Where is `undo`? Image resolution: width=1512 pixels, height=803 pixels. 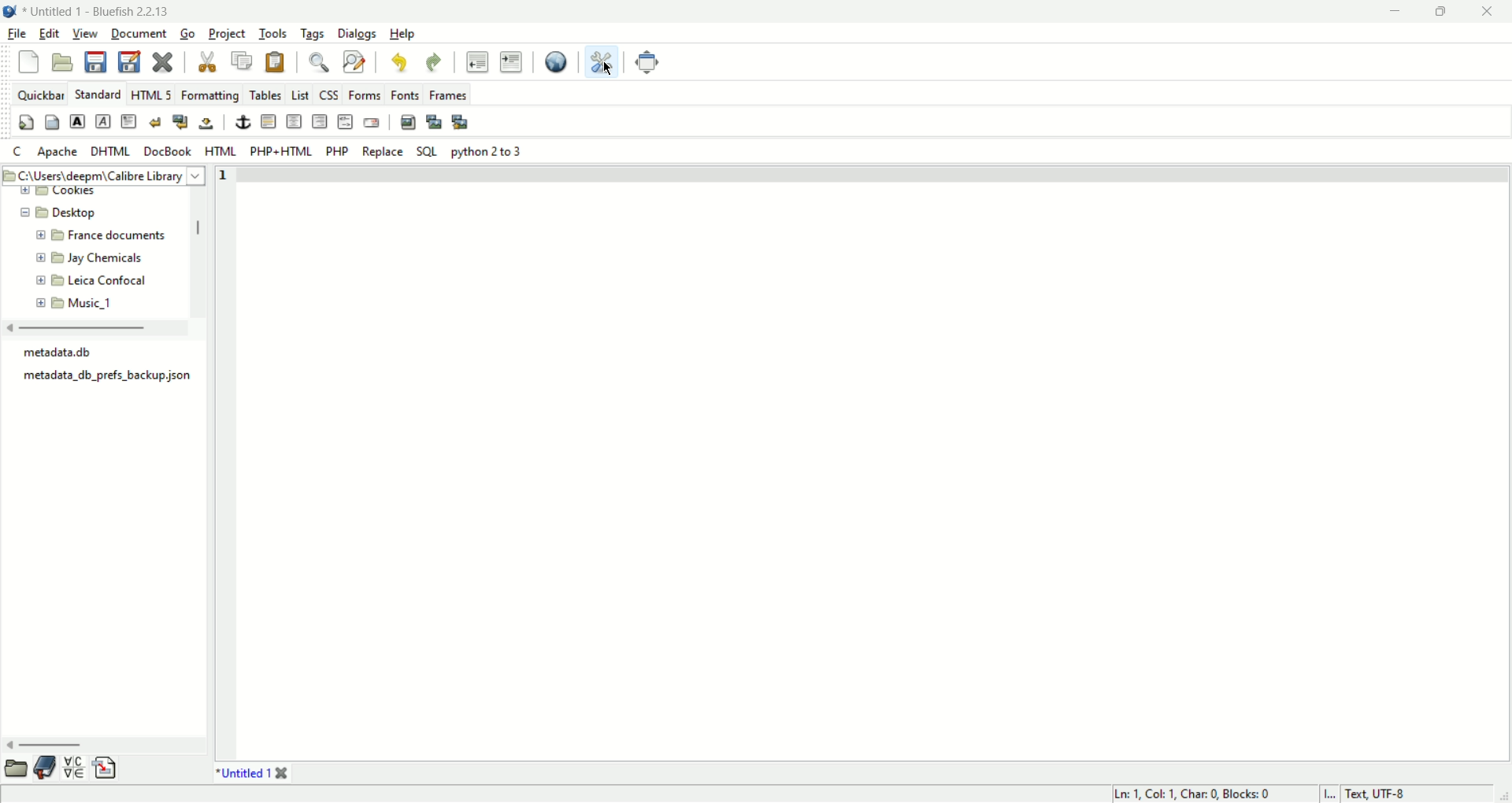 undo is located at coordinates (399, 63).